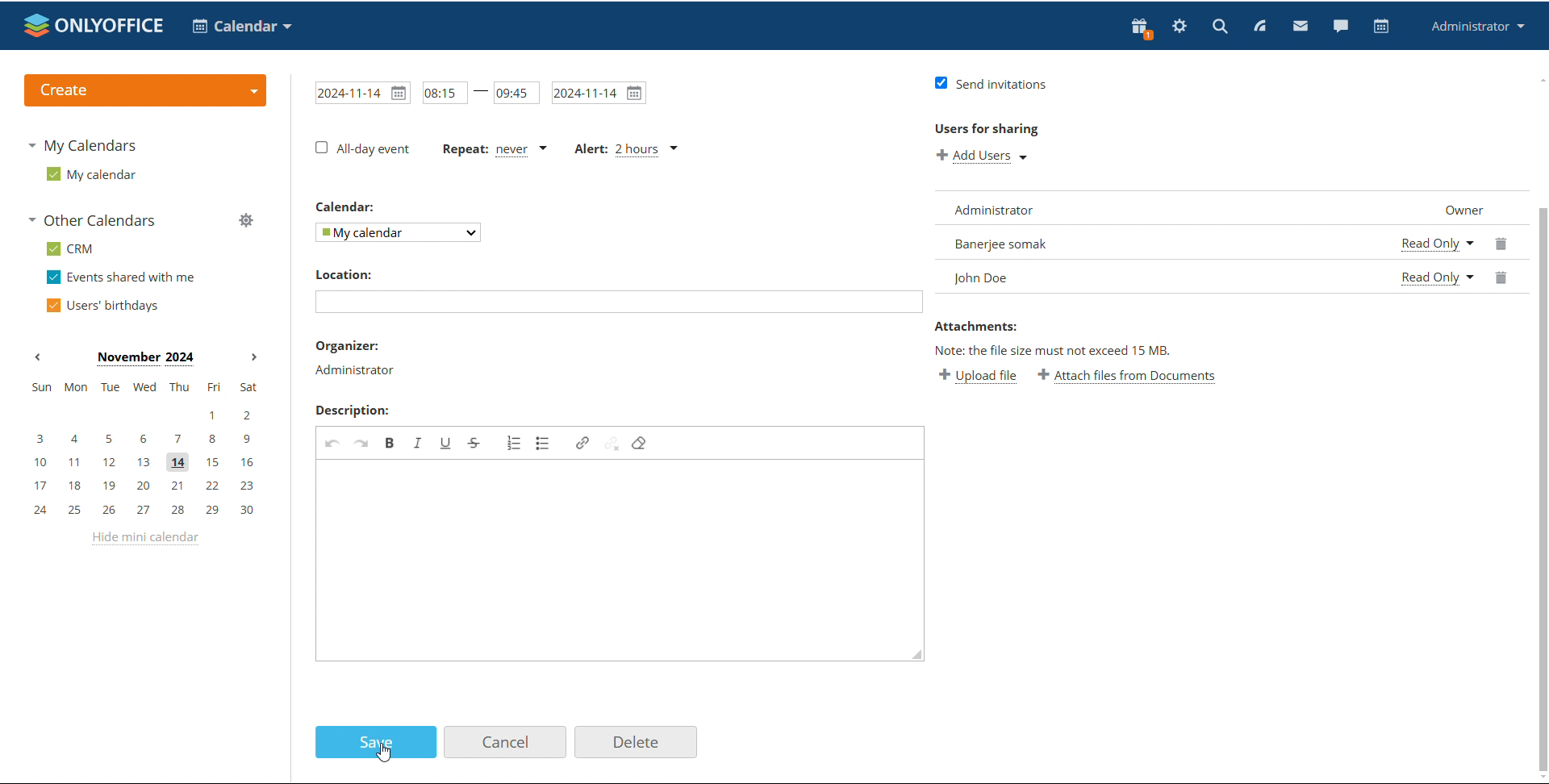  I want to click on attach file from documents, so click(1128, 378).